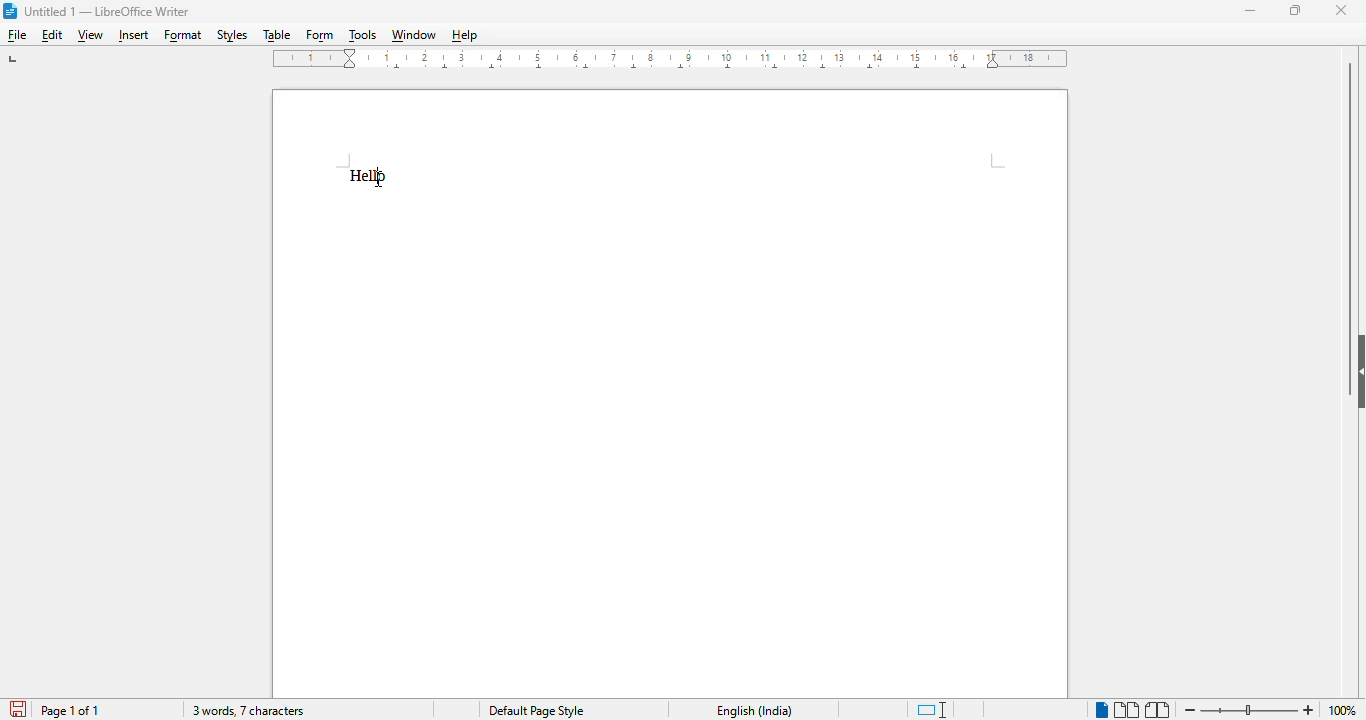 Image resolution: width=1366 pixels, height=720 pixels. Describe the element at coordinates (1158, 710) in the screenshot. I see `book view` at that location.